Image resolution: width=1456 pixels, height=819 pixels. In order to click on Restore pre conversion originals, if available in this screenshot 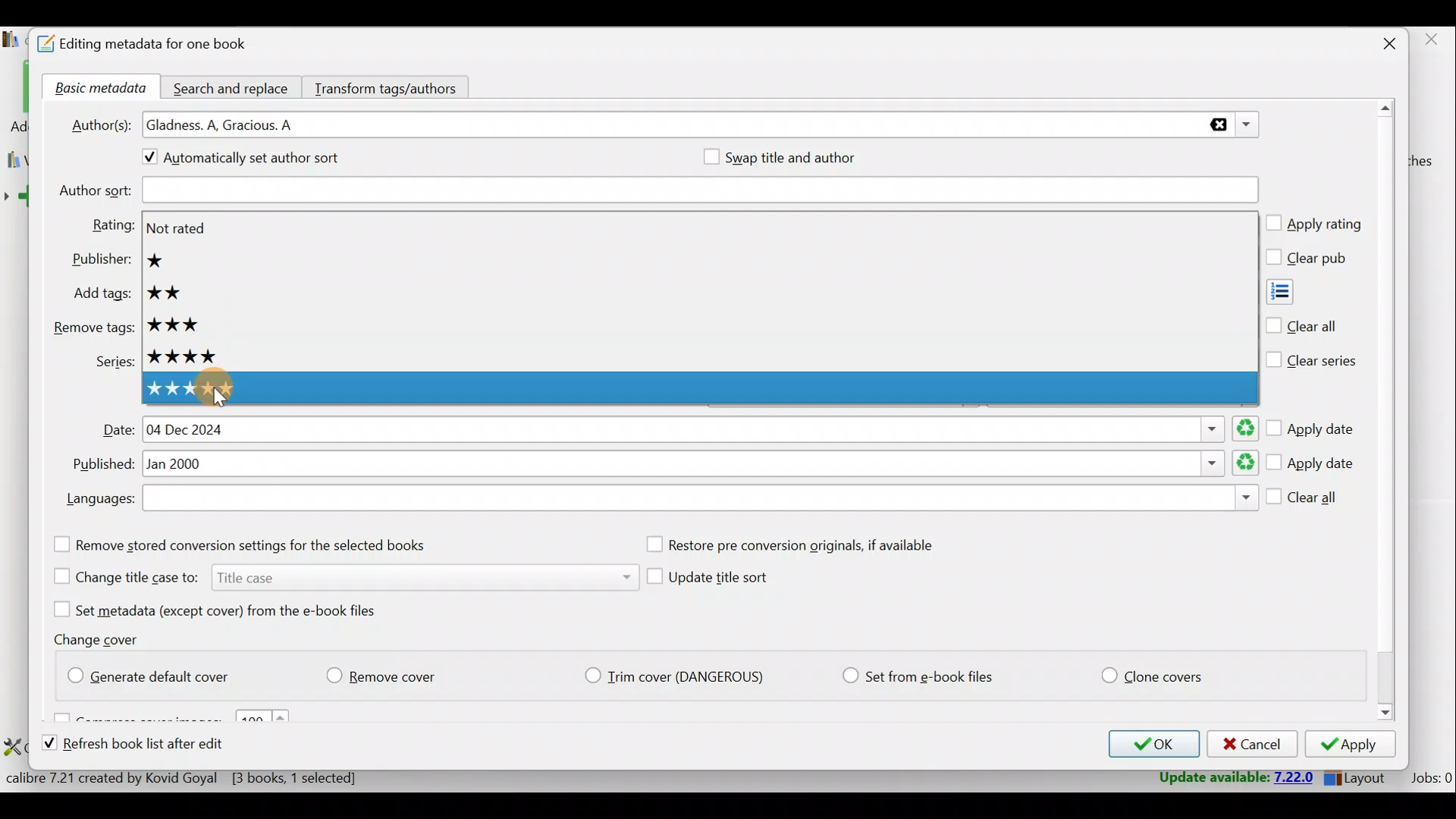, I will do `click(806, 545)`.